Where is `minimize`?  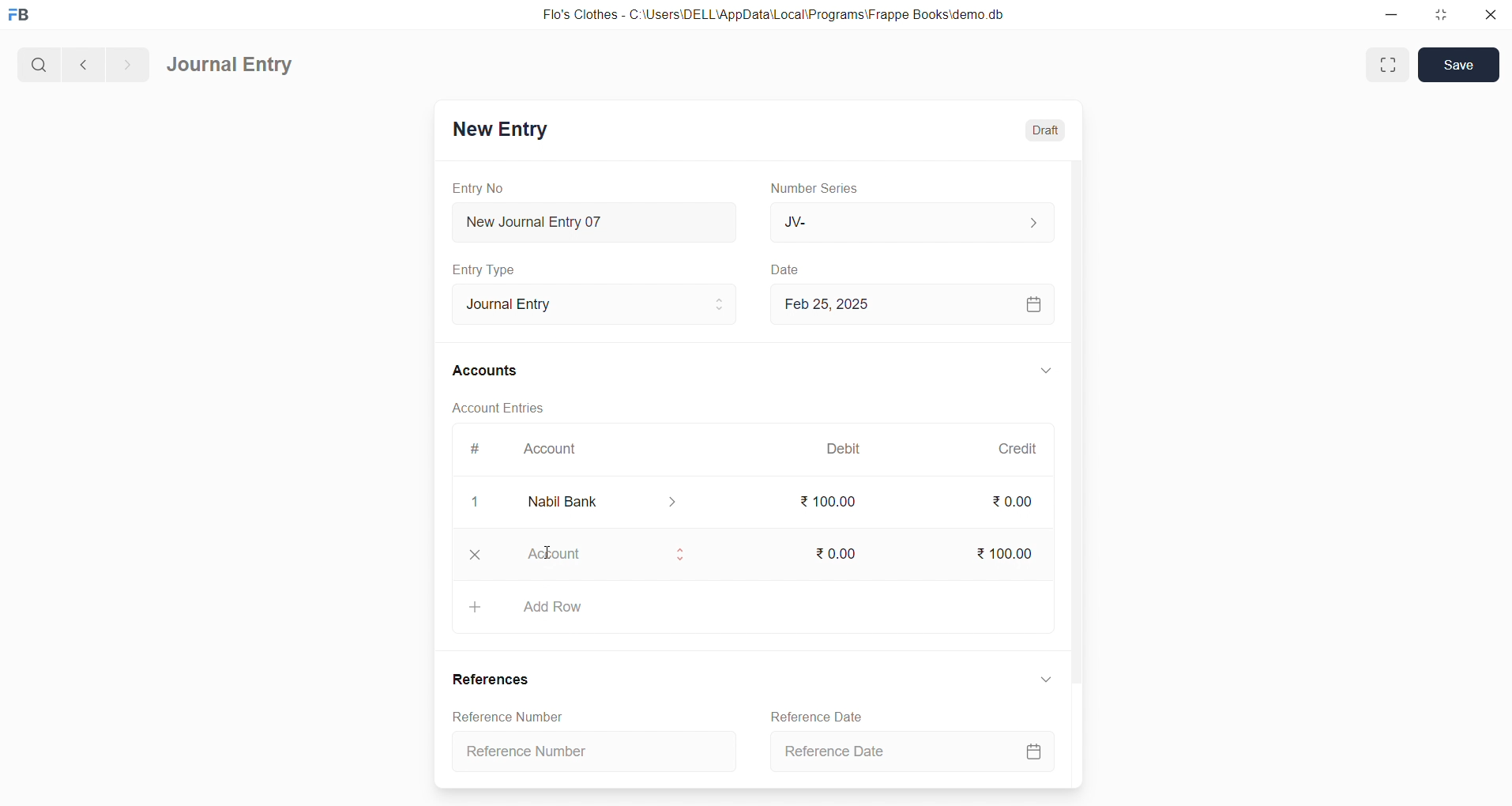
minimize is located at coordinates (1390, 16).